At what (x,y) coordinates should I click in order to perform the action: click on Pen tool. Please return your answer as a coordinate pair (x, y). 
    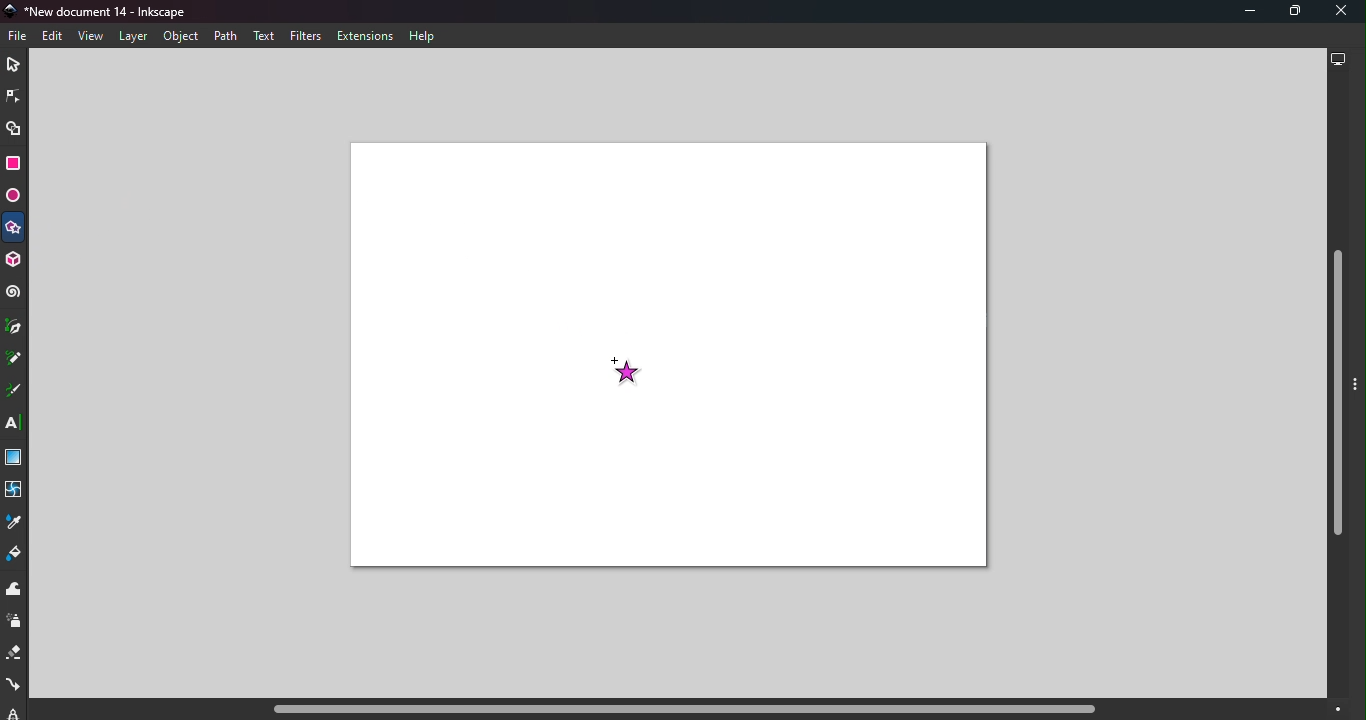
    Looking at the image, I should click on (15, 327).